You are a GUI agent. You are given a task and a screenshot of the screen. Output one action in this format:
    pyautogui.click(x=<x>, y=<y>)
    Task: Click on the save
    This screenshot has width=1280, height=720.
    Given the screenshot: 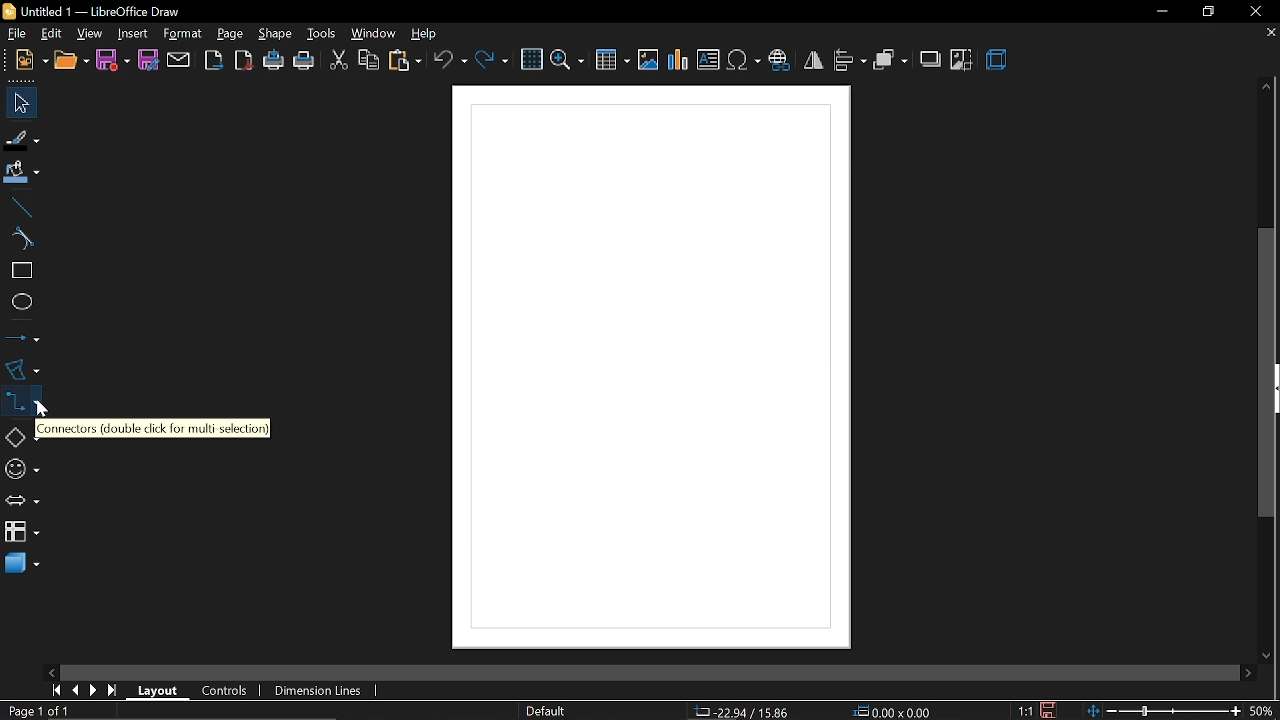 What is the action you would take?
    pyautogui.click(x=113, y=61)
    